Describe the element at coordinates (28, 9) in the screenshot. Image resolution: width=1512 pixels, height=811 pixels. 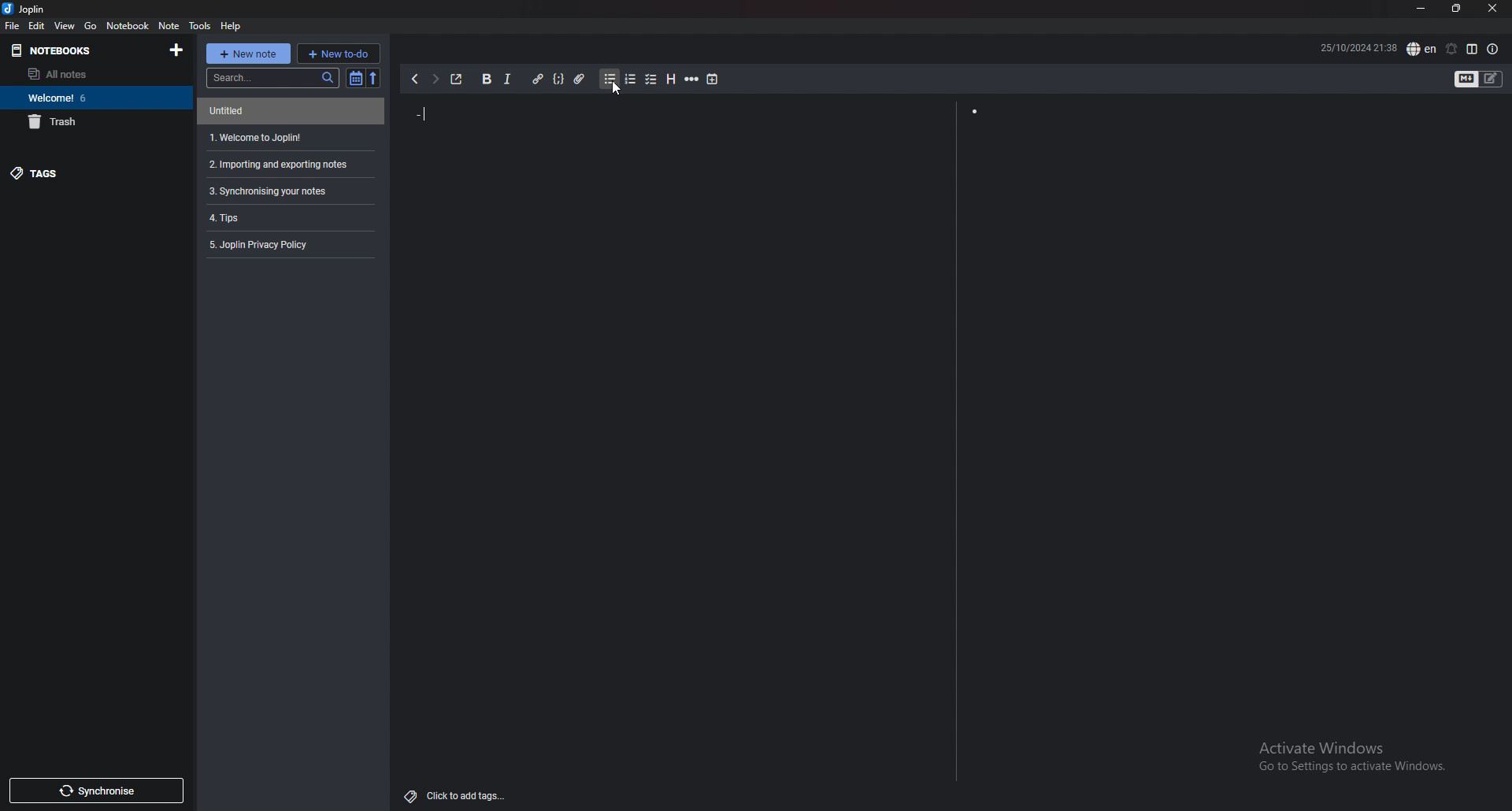
I see `Joplin` at that location.